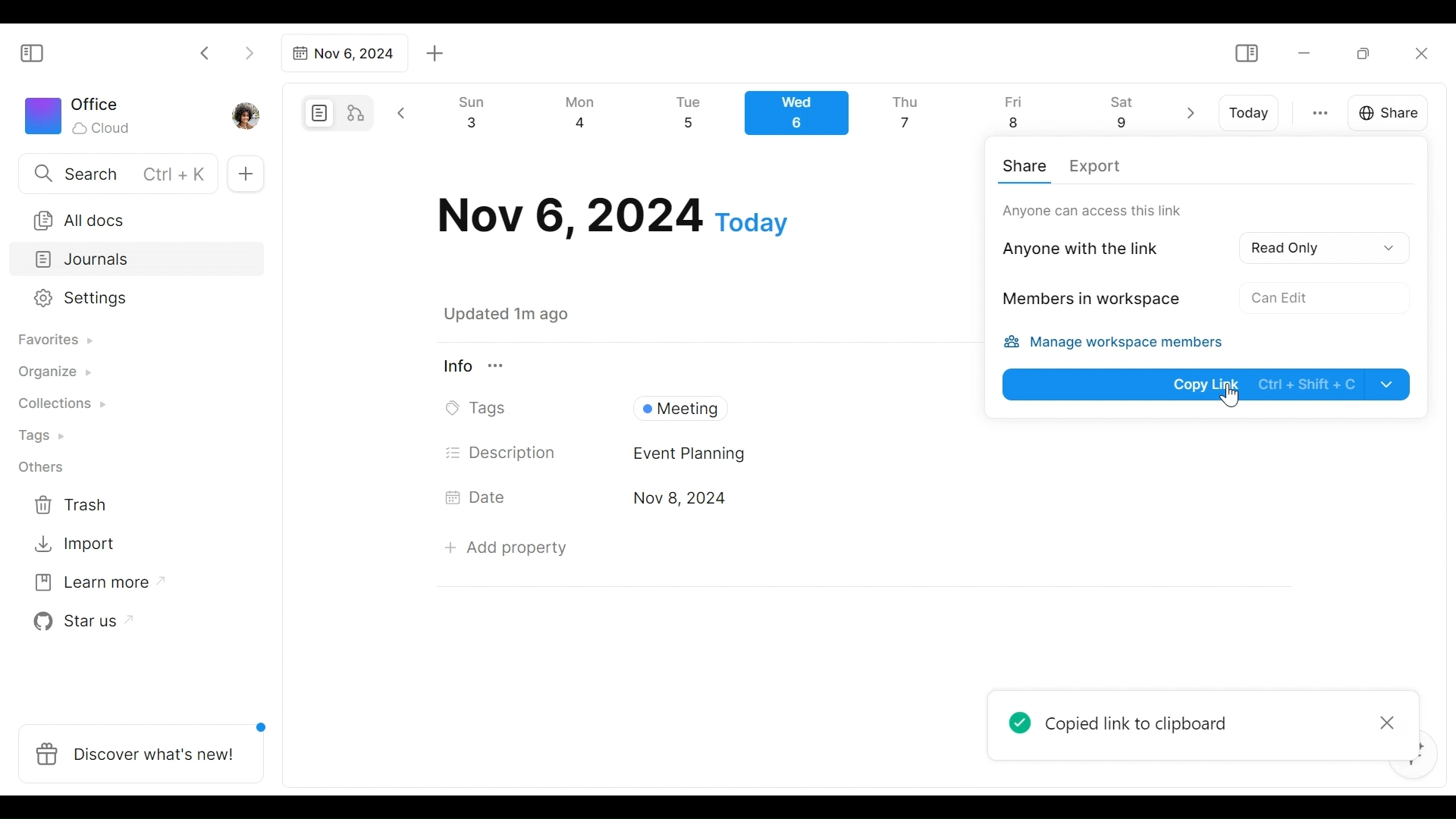 The image size is (1456, 819). I want to click on AFFiNE AI, so click(1413, 764).